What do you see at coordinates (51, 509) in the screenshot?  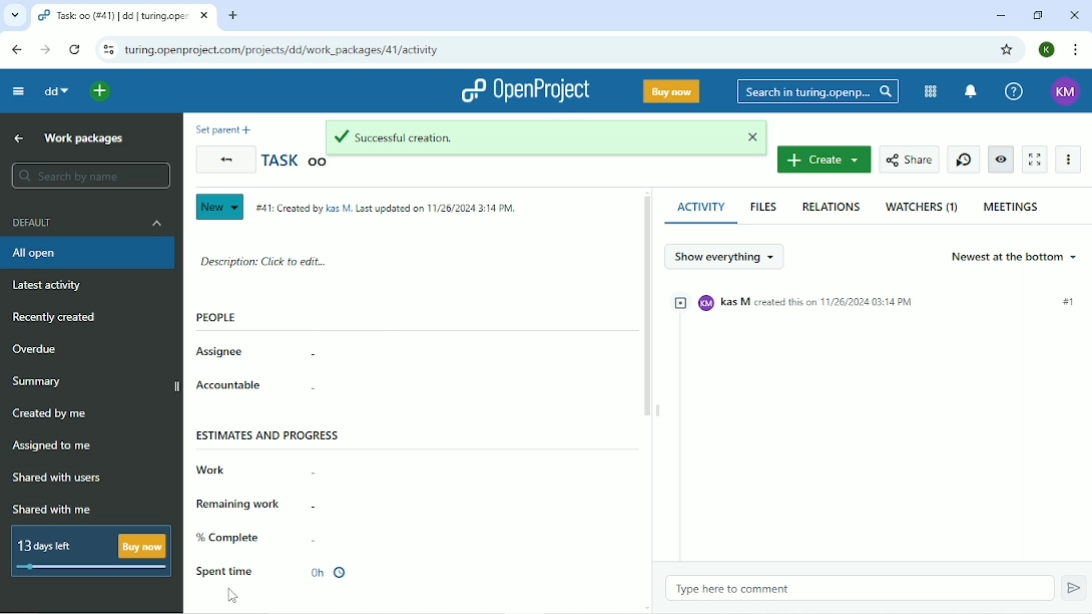 I see `Shared with me` at bounding box center [51, 509].